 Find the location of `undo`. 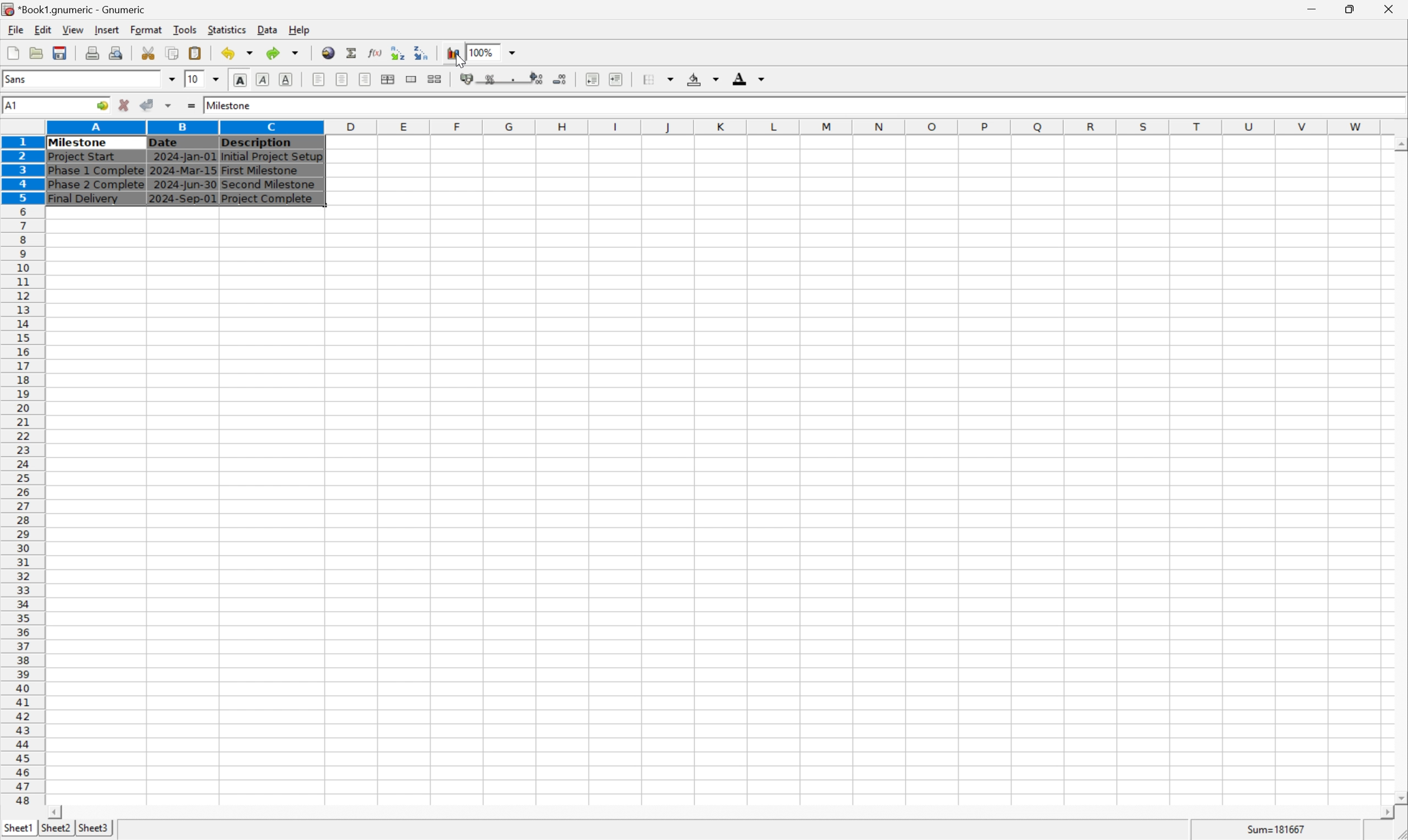

undo is located at coordinates (240, 54).